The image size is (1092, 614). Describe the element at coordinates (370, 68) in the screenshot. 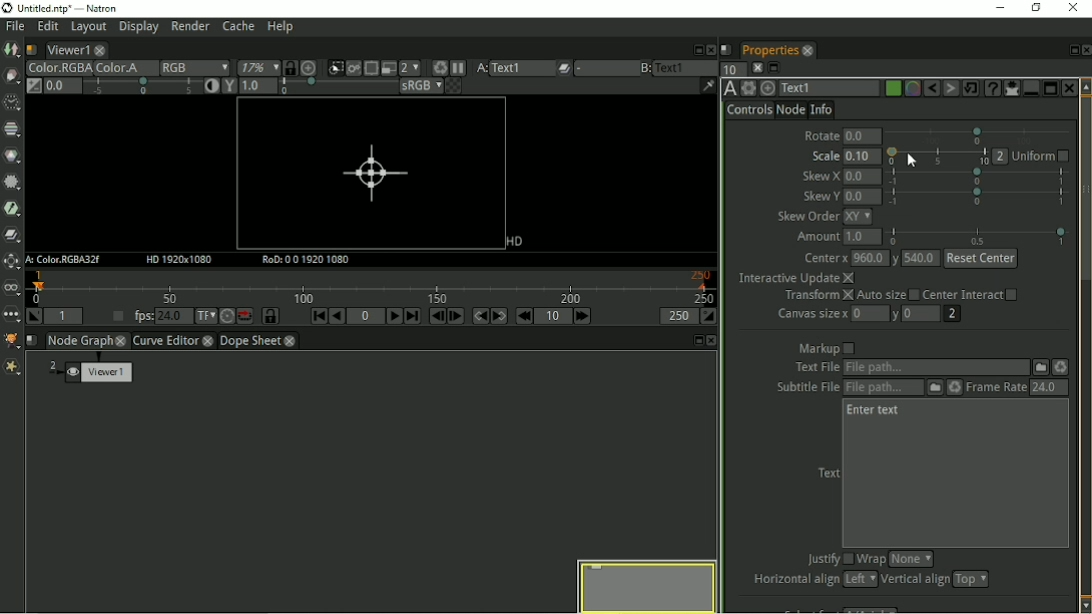

I see `limit portion of viewer` at that location.